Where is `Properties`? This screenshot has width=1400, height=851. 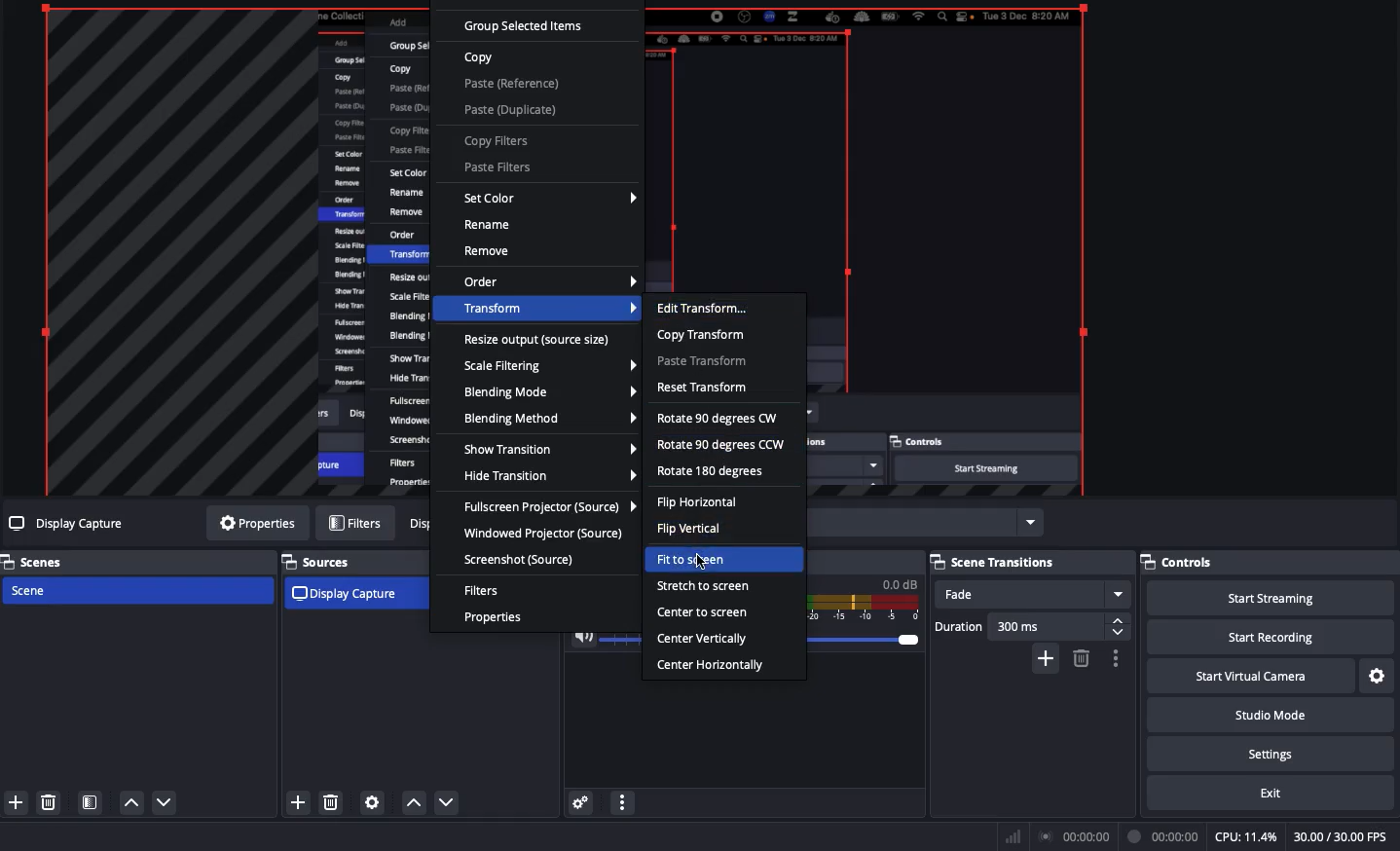 Properties is located at coordinates (497, 619).